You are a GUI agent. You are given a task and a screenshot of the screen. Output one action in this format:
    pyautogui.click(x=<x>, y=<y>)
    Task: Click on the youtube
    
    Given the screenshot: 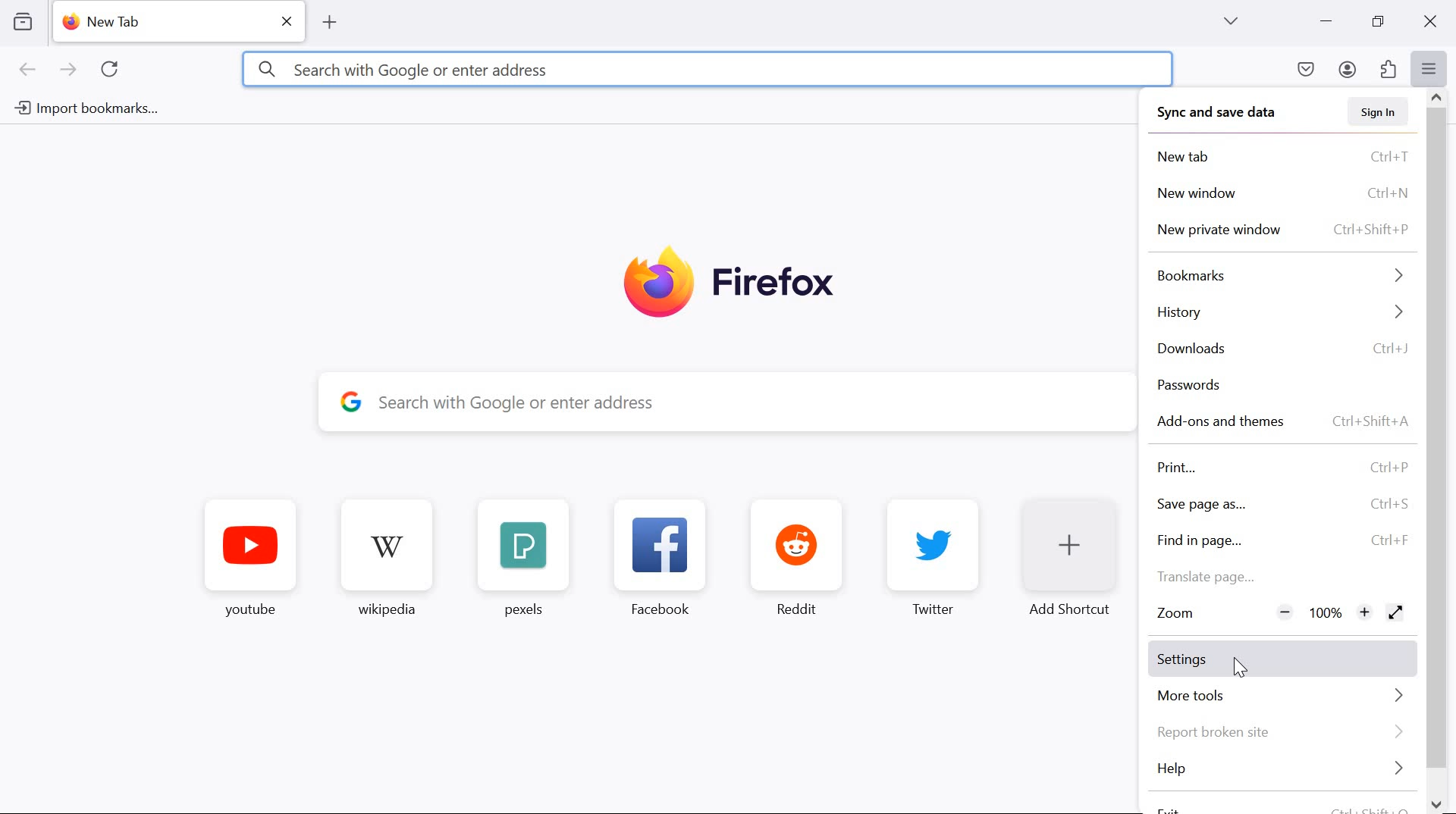 What is the action you would take?
    pyautogui.click(x=253, y=550)
    